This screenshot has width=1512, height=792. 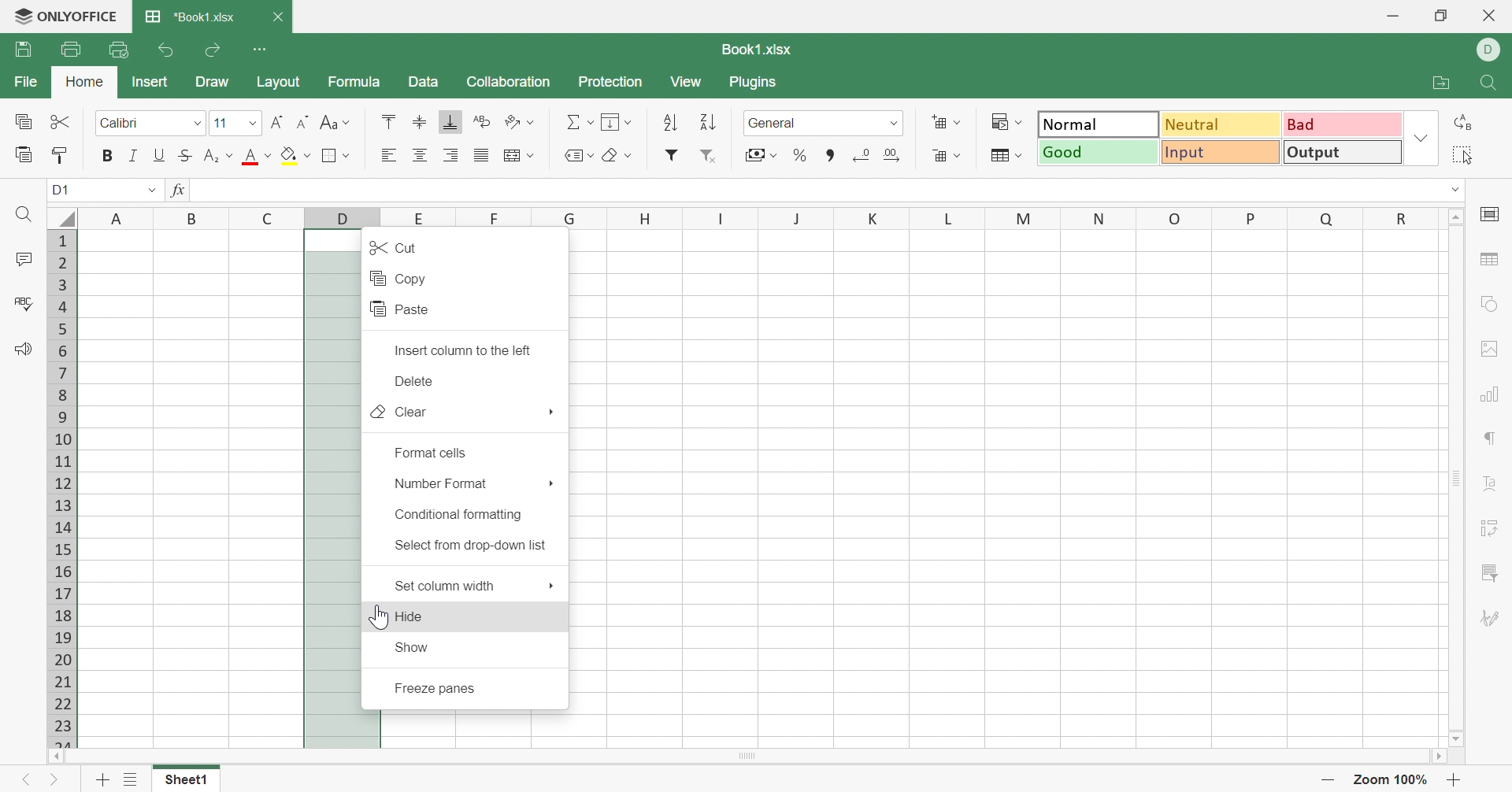 What do you see at coordinates (706, 121) in the screenshot?
I see `Descending order` at bounding box center [706, 121].